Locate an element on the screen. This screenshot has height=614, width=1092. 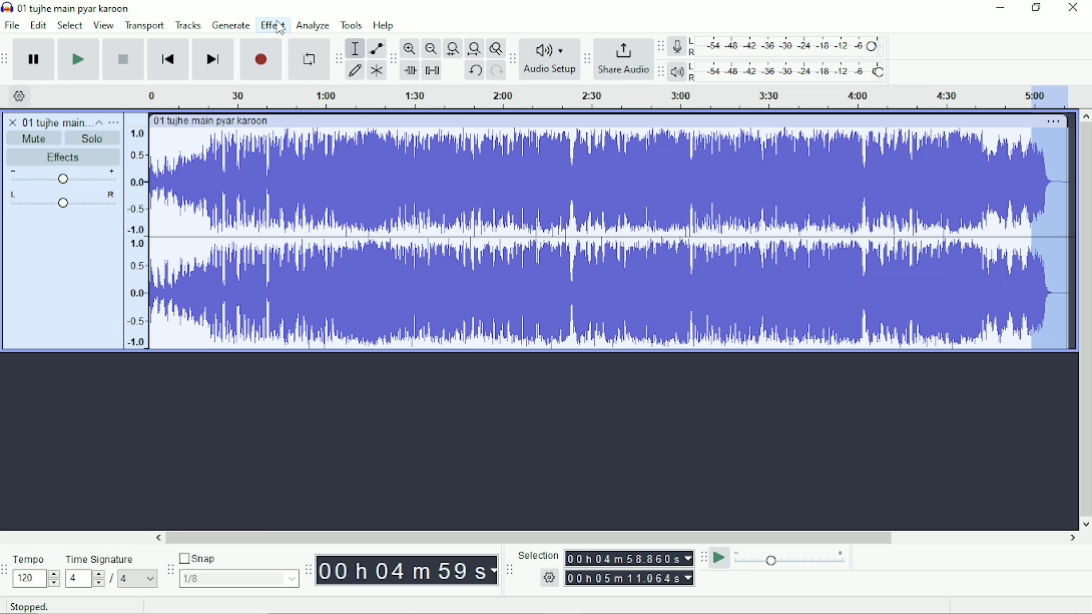
Minimize is located at coordinates (1001, 7).